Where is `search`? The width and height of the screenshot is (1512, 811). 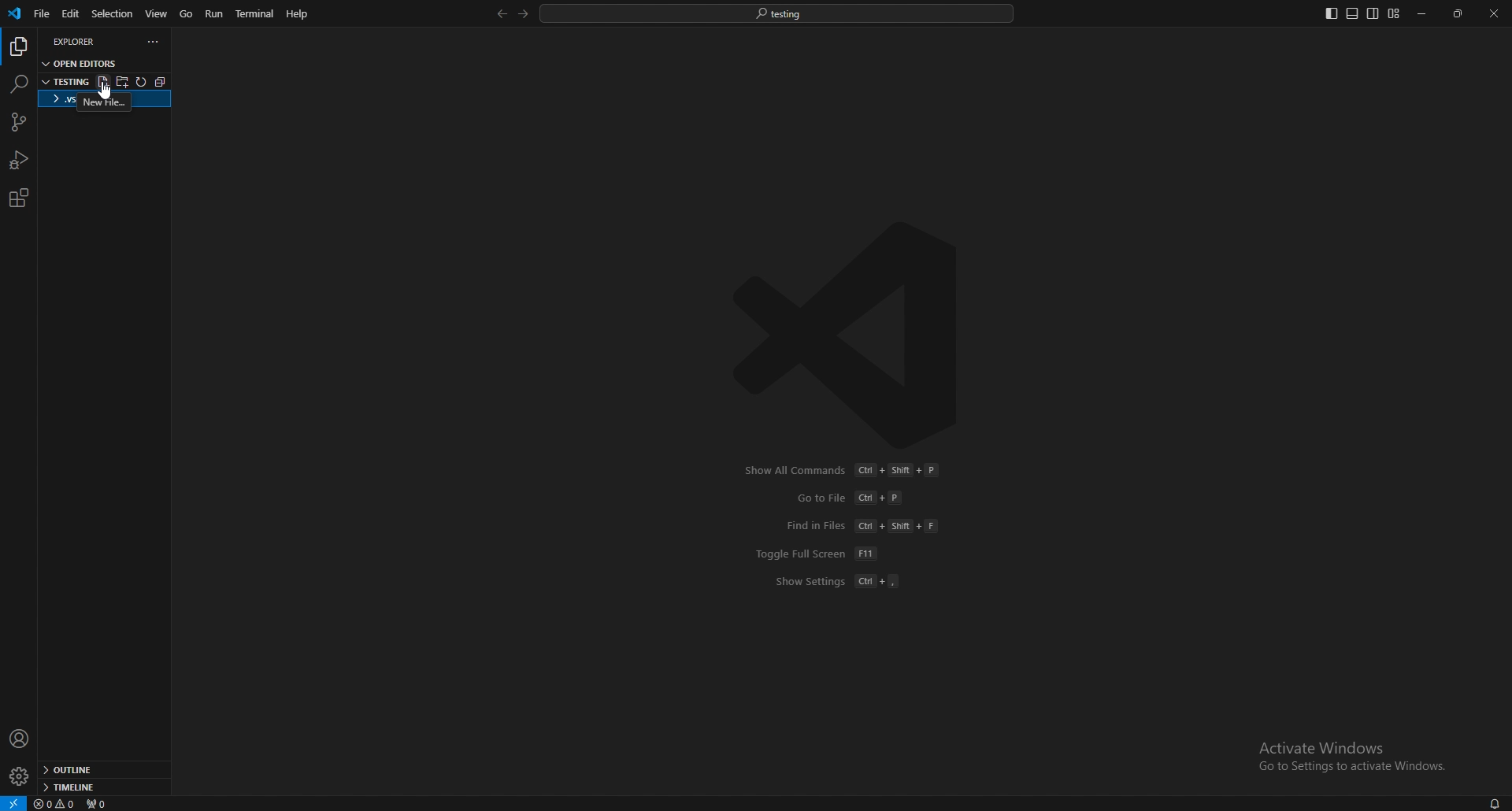 search is located at coordinates (18, 83).